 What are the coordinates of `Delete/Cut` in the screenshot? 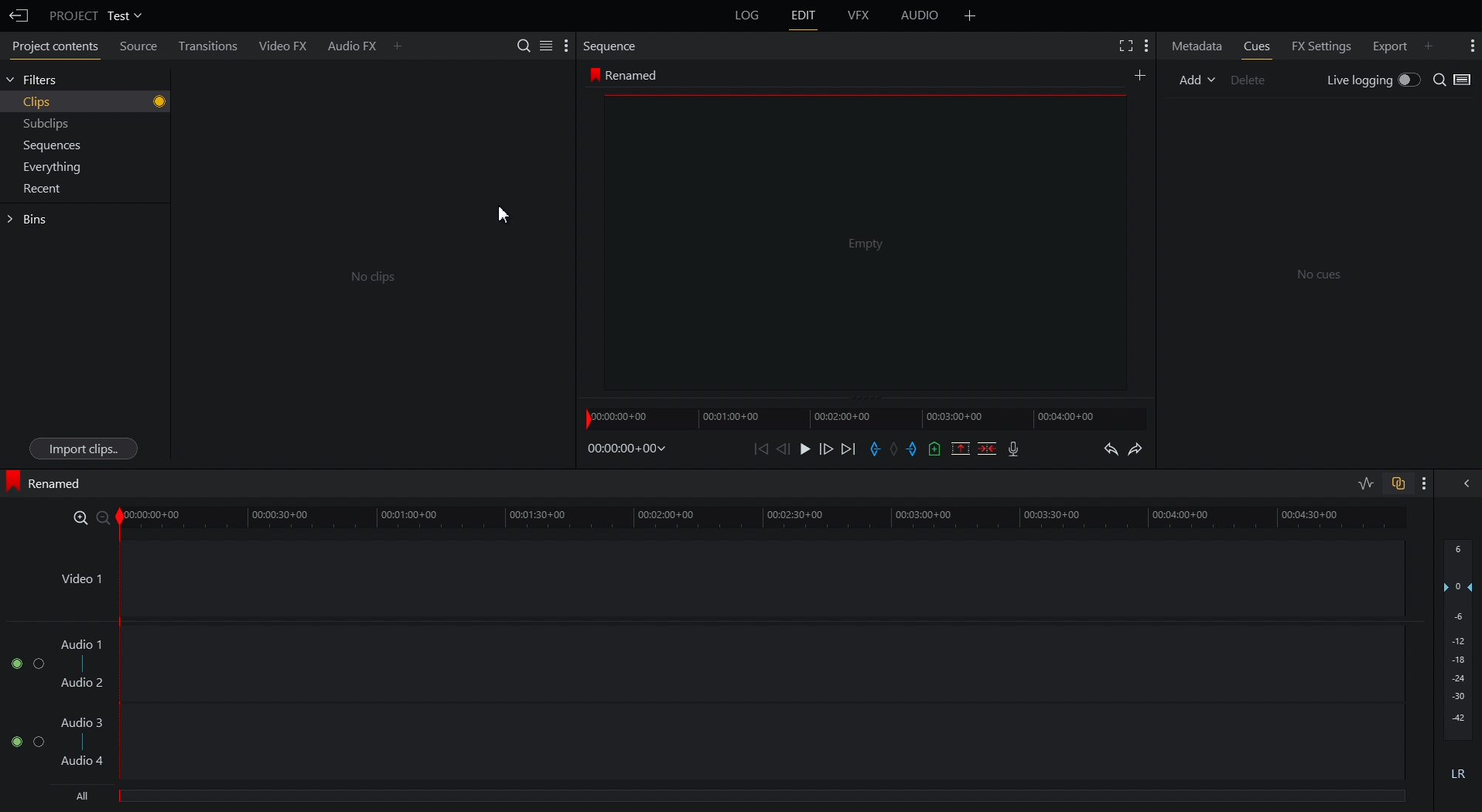 It's located at (986, 449).